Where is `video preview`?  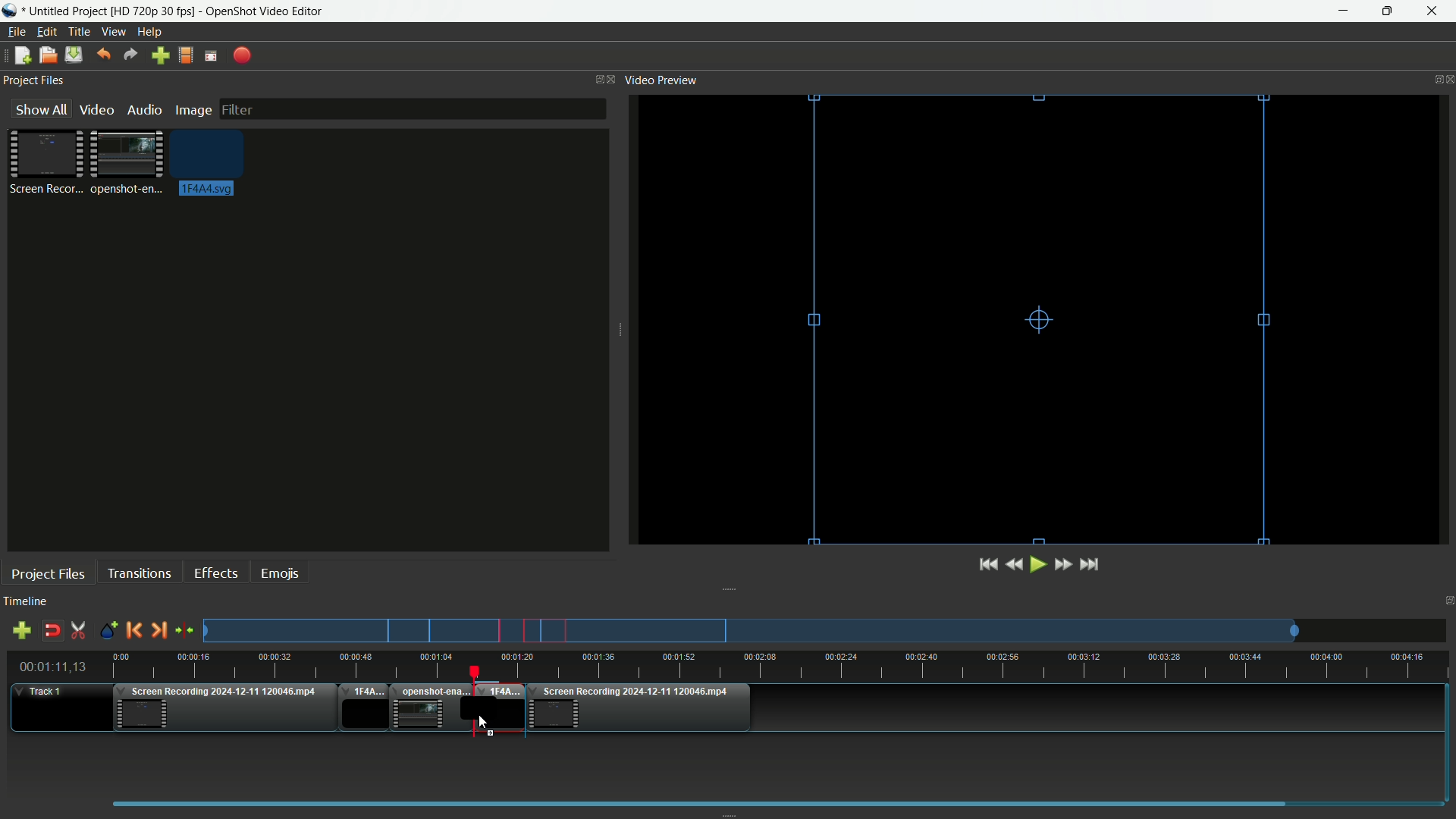
video preview is located at coordinates (1043, 318).